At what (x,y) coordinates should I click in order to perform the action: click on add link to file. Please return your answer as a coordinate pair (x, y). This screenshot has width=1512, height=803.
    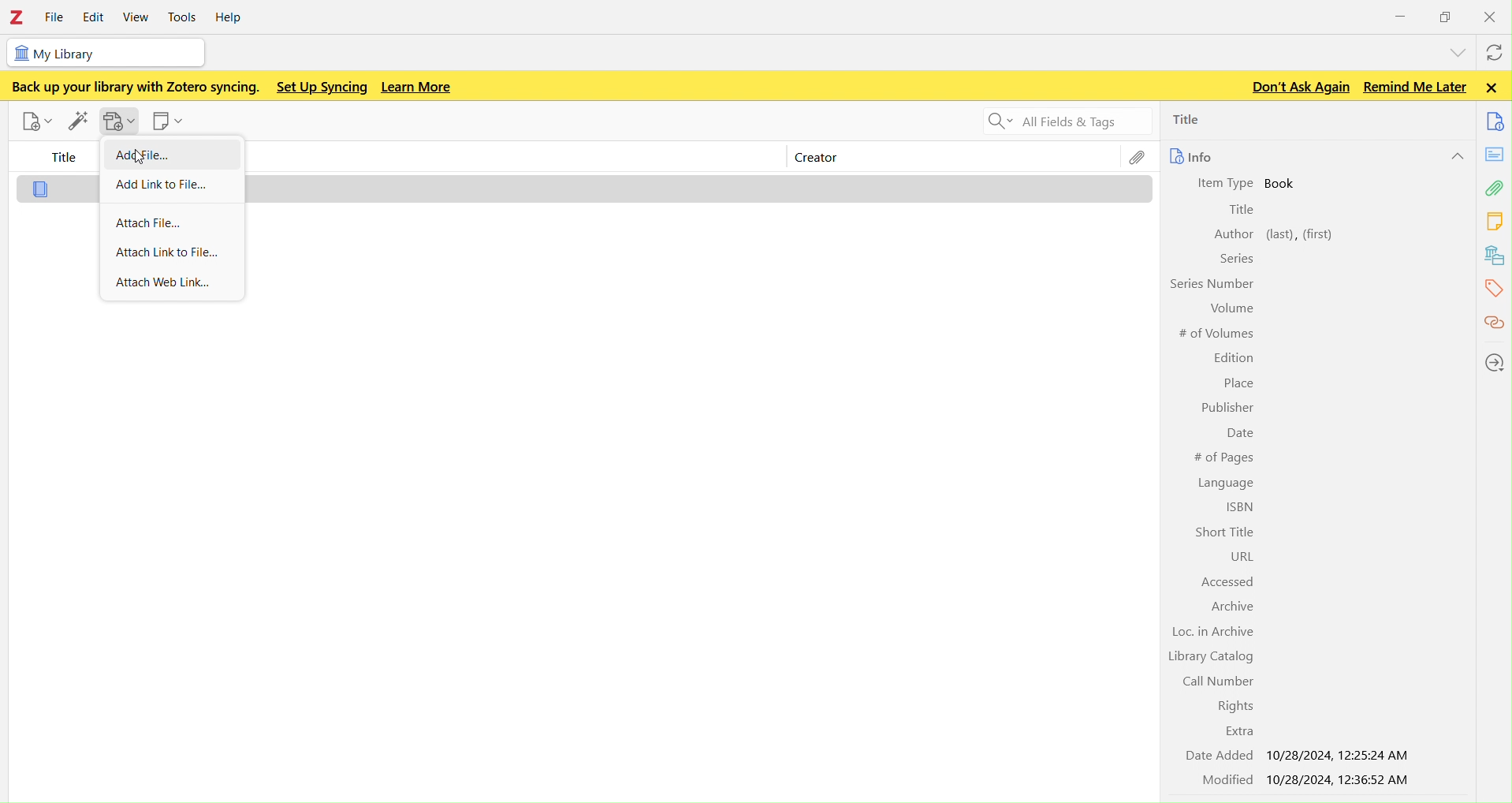
    Looking at the image, I should click on (174, 182).